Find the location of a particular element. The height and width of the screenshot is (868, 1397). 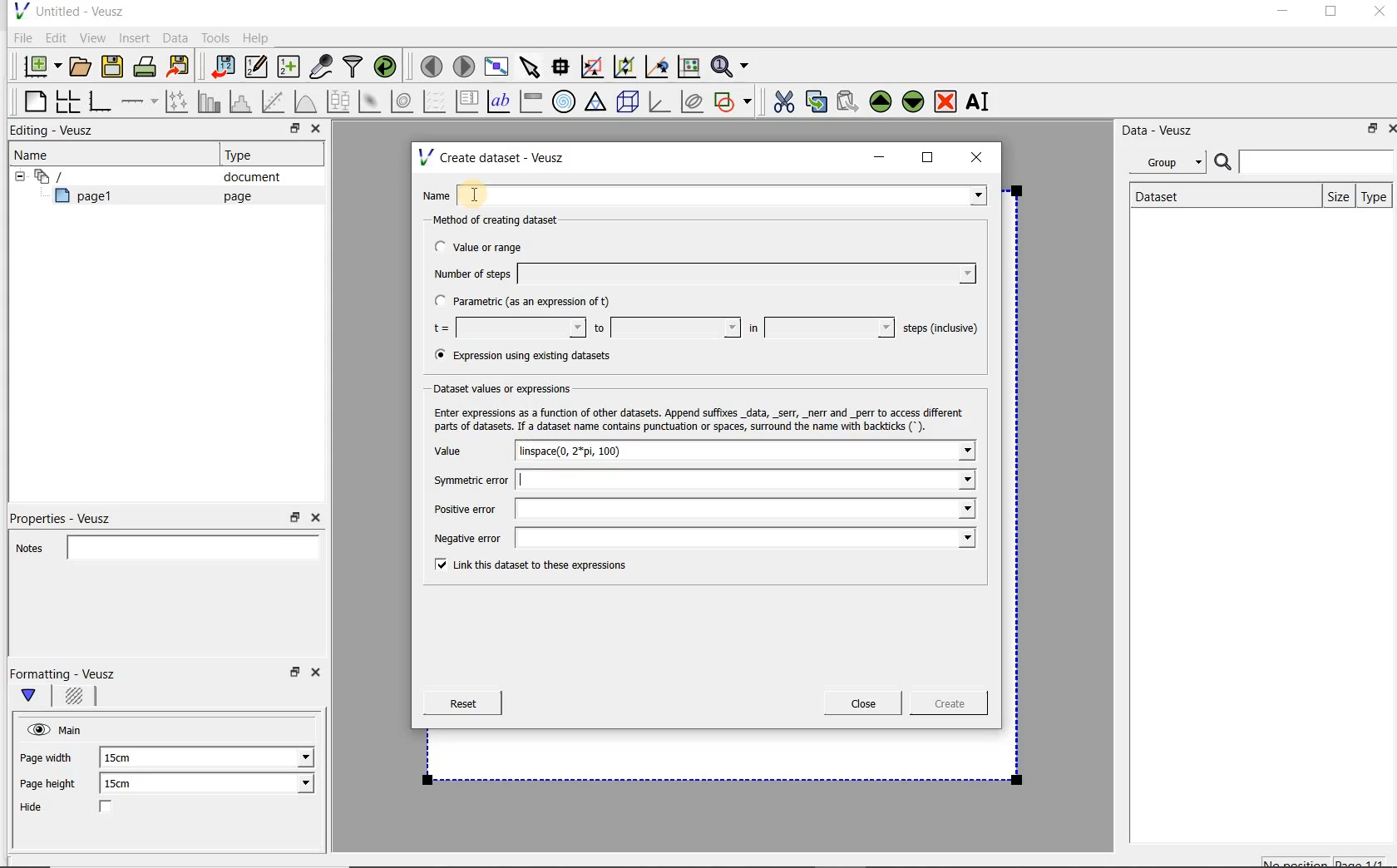

maximize is located at coordinates (1331, 14).